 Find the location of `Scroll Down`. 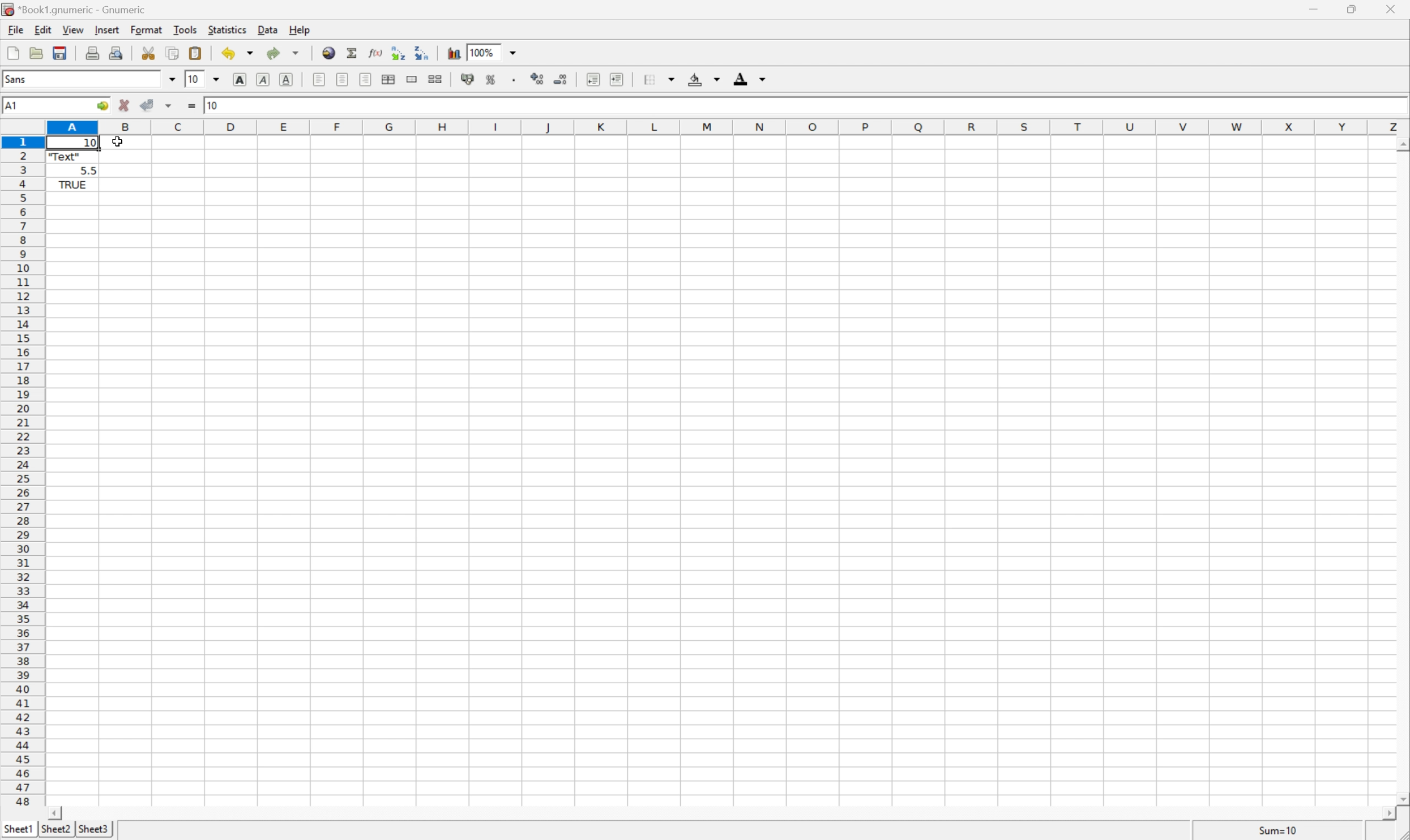

Scroll Down is located at coordinates (1401, 144).